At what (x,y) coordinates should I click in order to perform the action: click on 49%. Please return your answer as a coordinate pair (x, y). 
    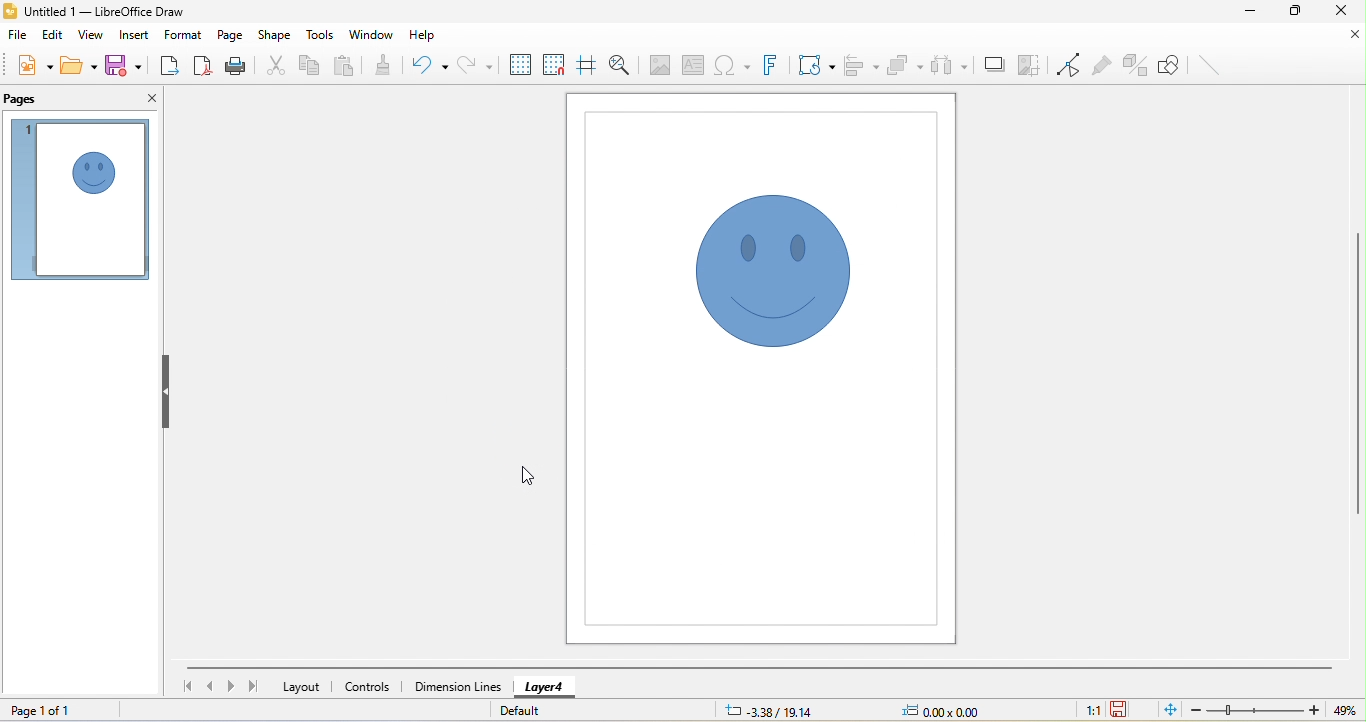
    Looking at the image, I should click on (1344, 710).